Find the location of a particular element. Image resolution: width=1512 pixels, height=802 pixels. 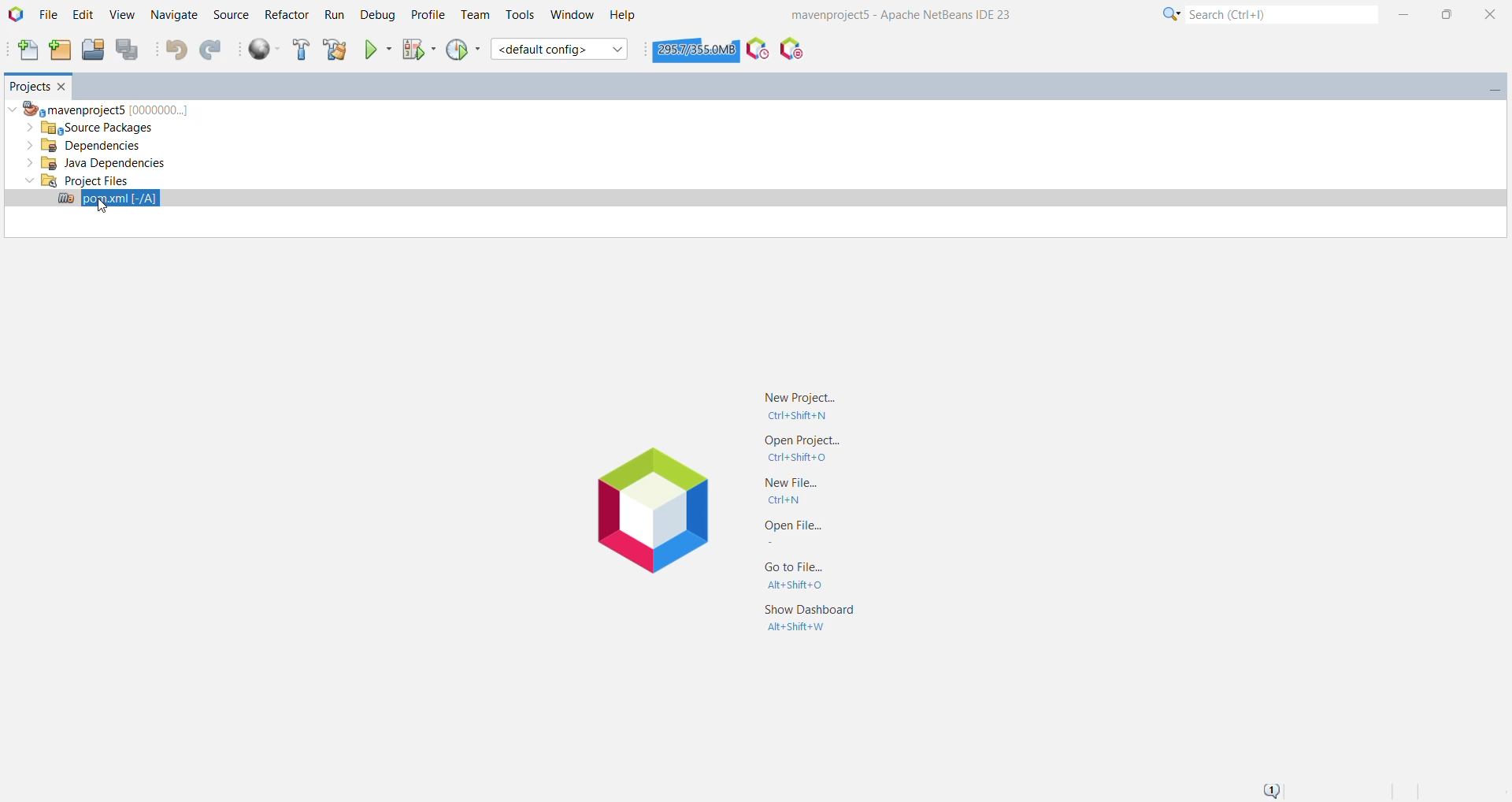

Close is located at coordinates (1491, 13).